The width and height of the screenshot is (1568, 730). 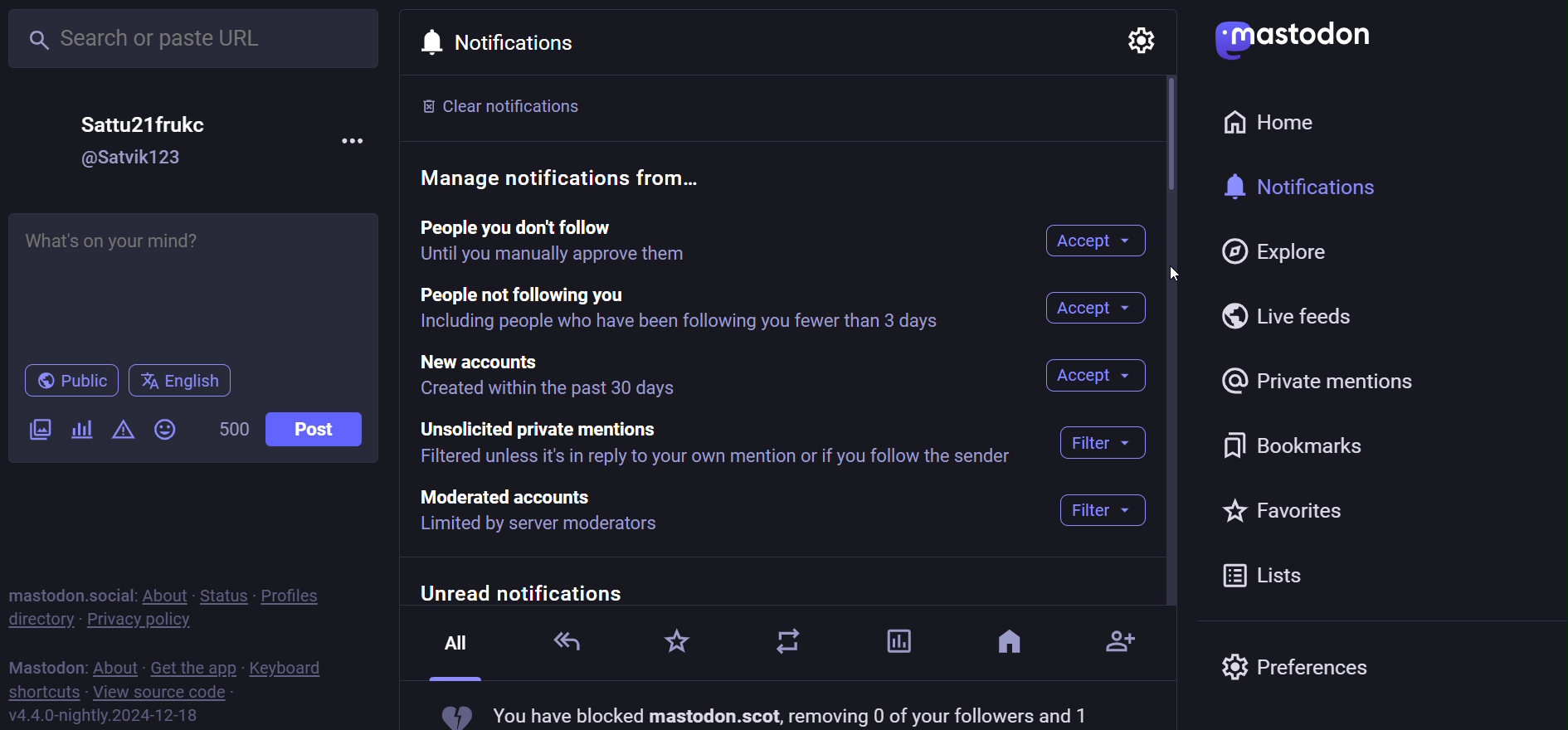 What do you see at coordinates (316, 429) in the screenshot?
I see `post` at bounding box center [316, 429].